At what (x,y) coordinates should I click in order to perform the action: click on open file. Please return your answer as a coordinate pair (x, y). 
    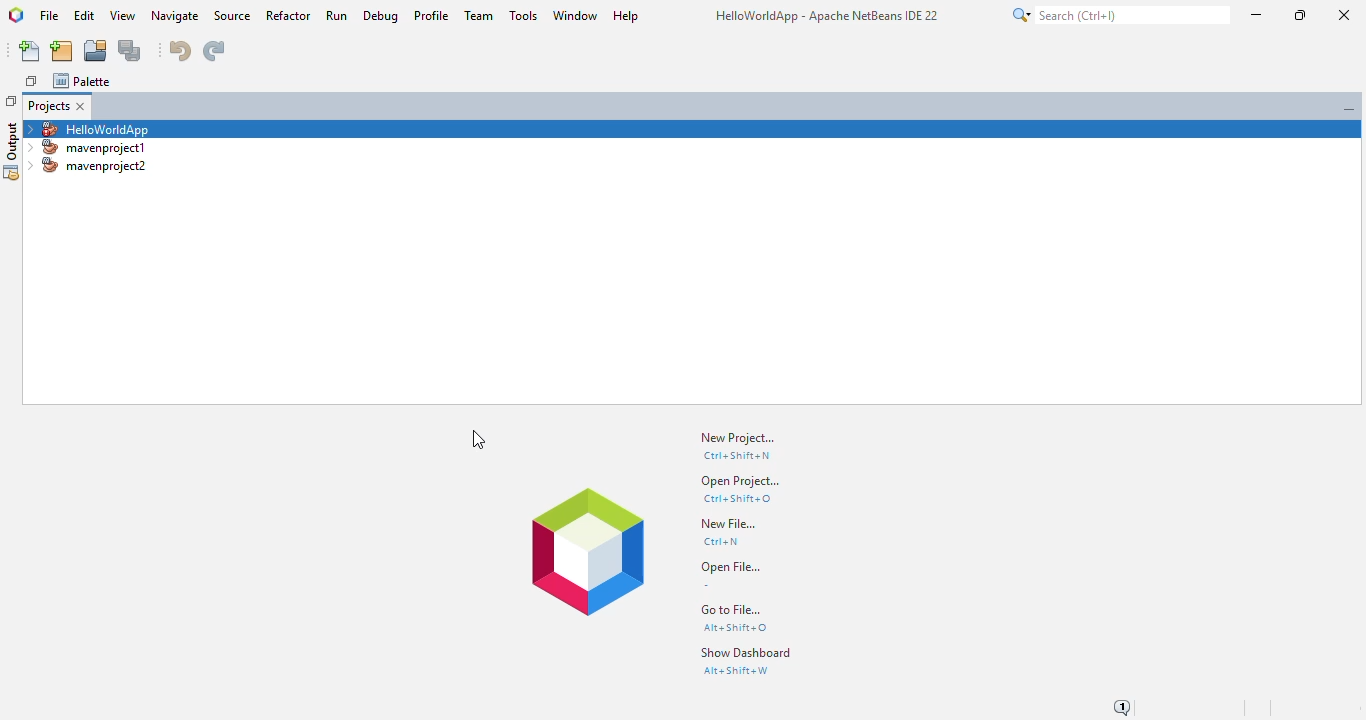
    Looking at the image, I should click on (729, 567).